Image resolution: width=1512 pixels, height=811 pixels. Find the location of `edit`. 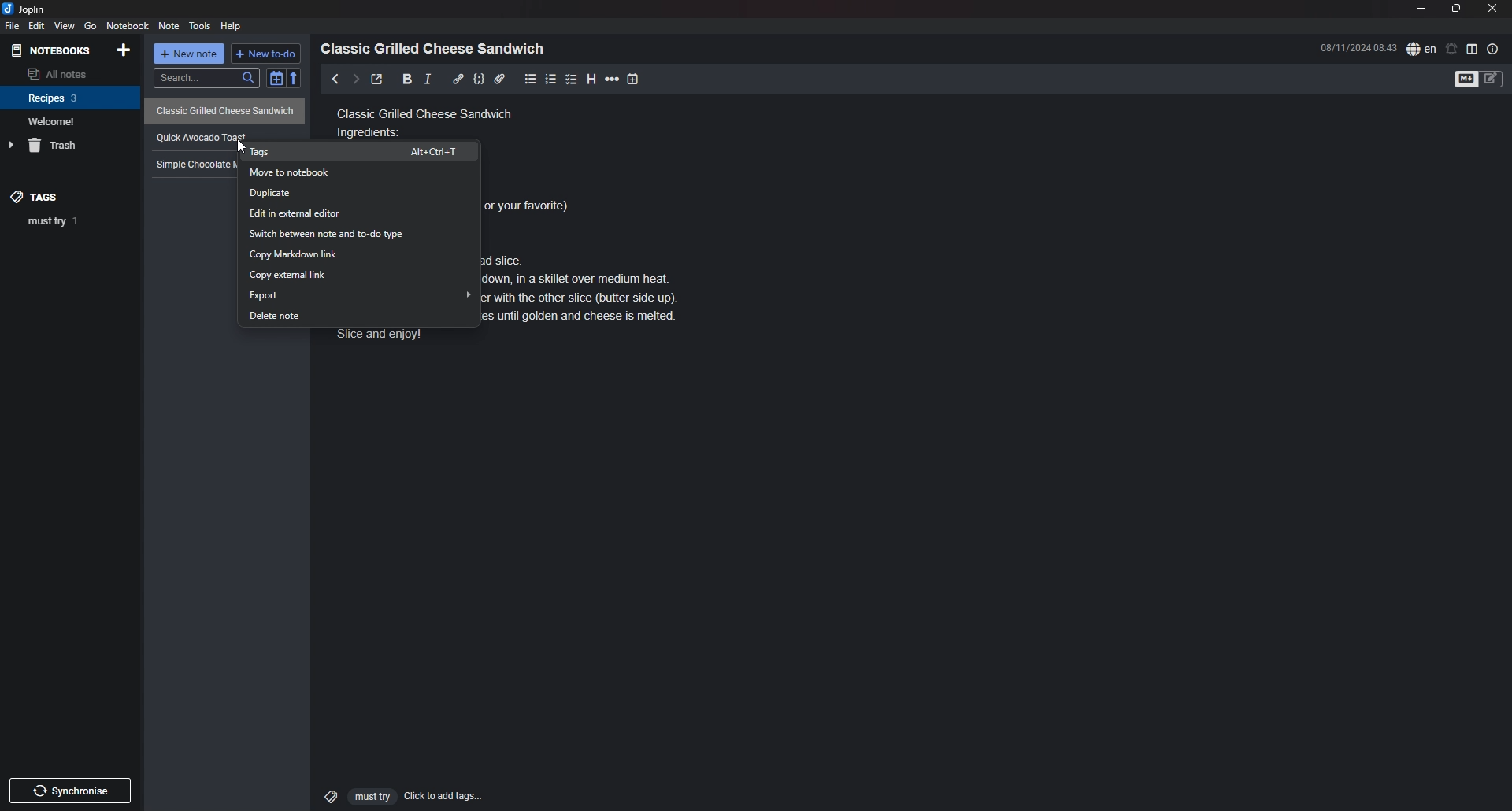

edit is located at coordinates (35, 26).